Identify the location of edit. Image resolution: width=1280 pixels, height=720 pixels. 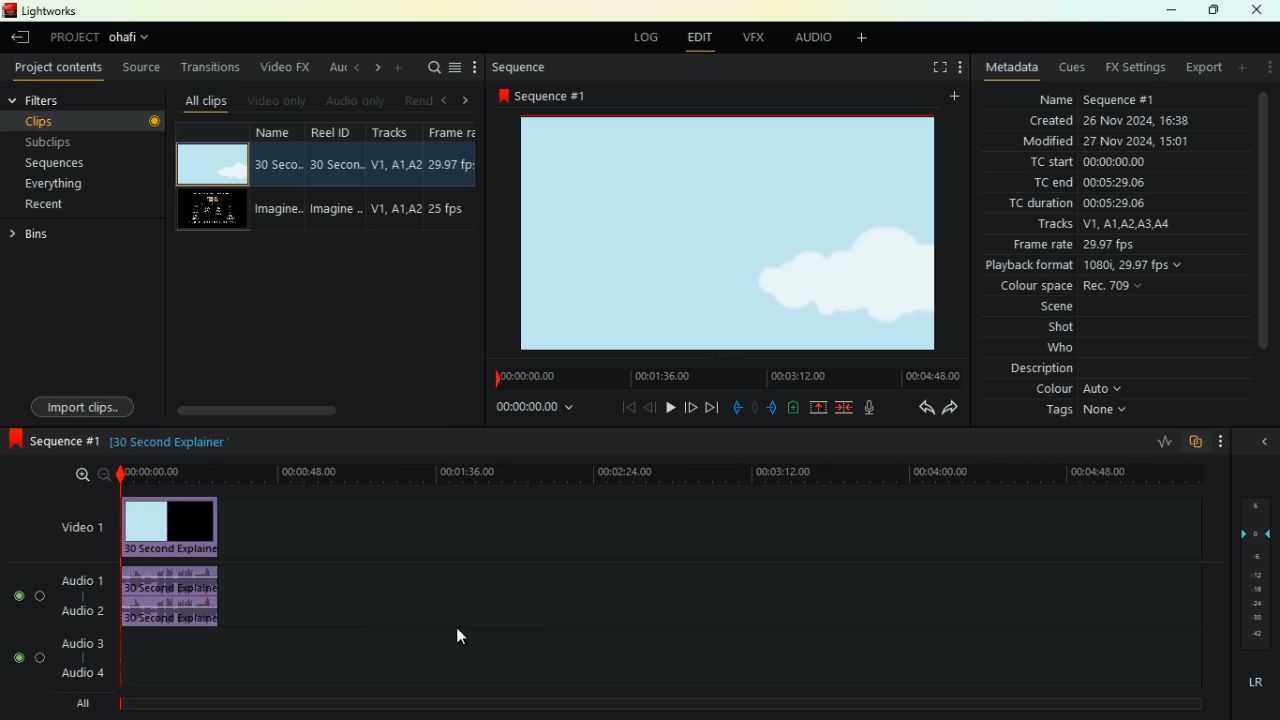
(697, 37).